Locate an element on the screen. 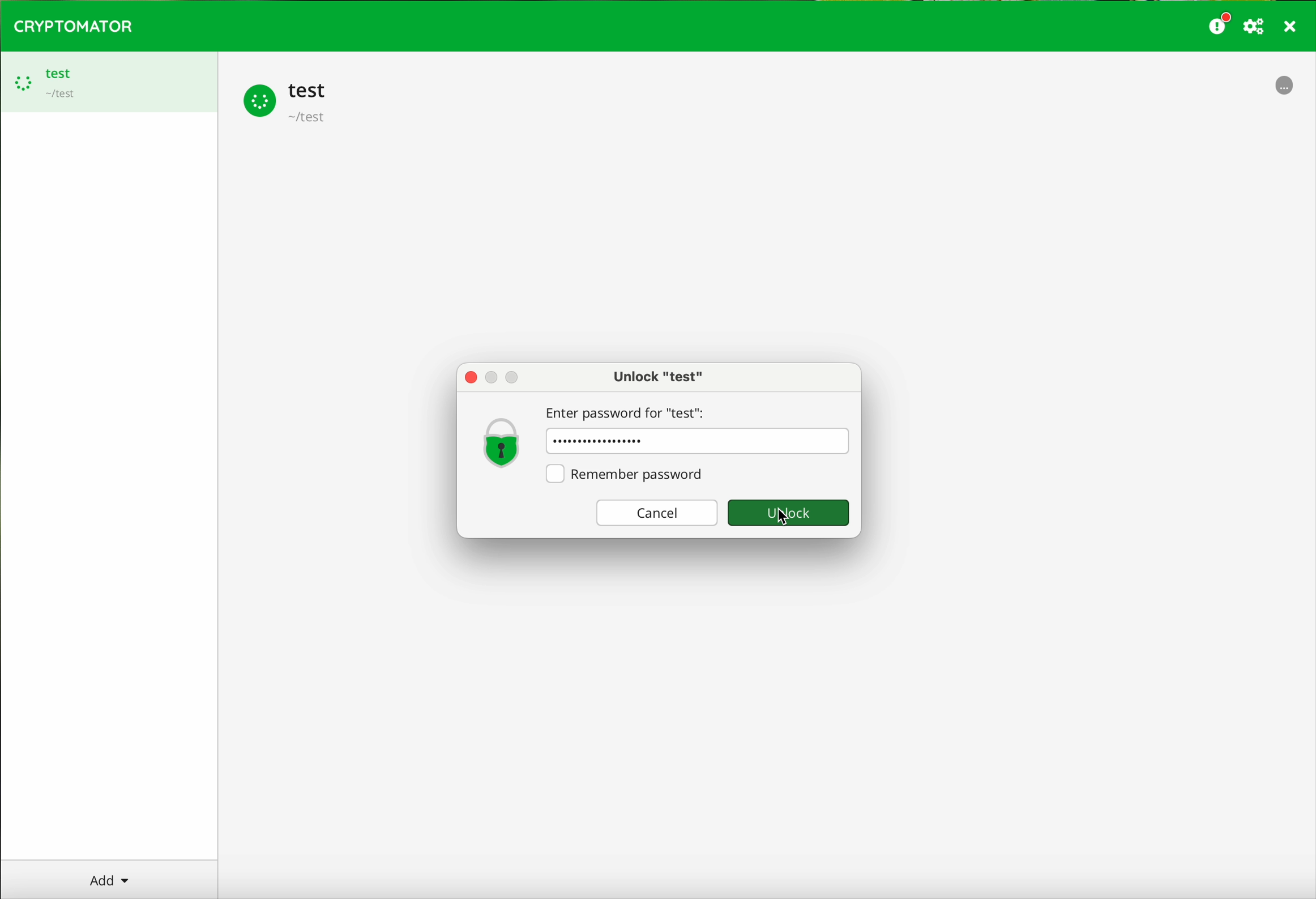 Image resolution: width=1316 pixels, height=899 pixels. password is located at coordinates (698, 441).